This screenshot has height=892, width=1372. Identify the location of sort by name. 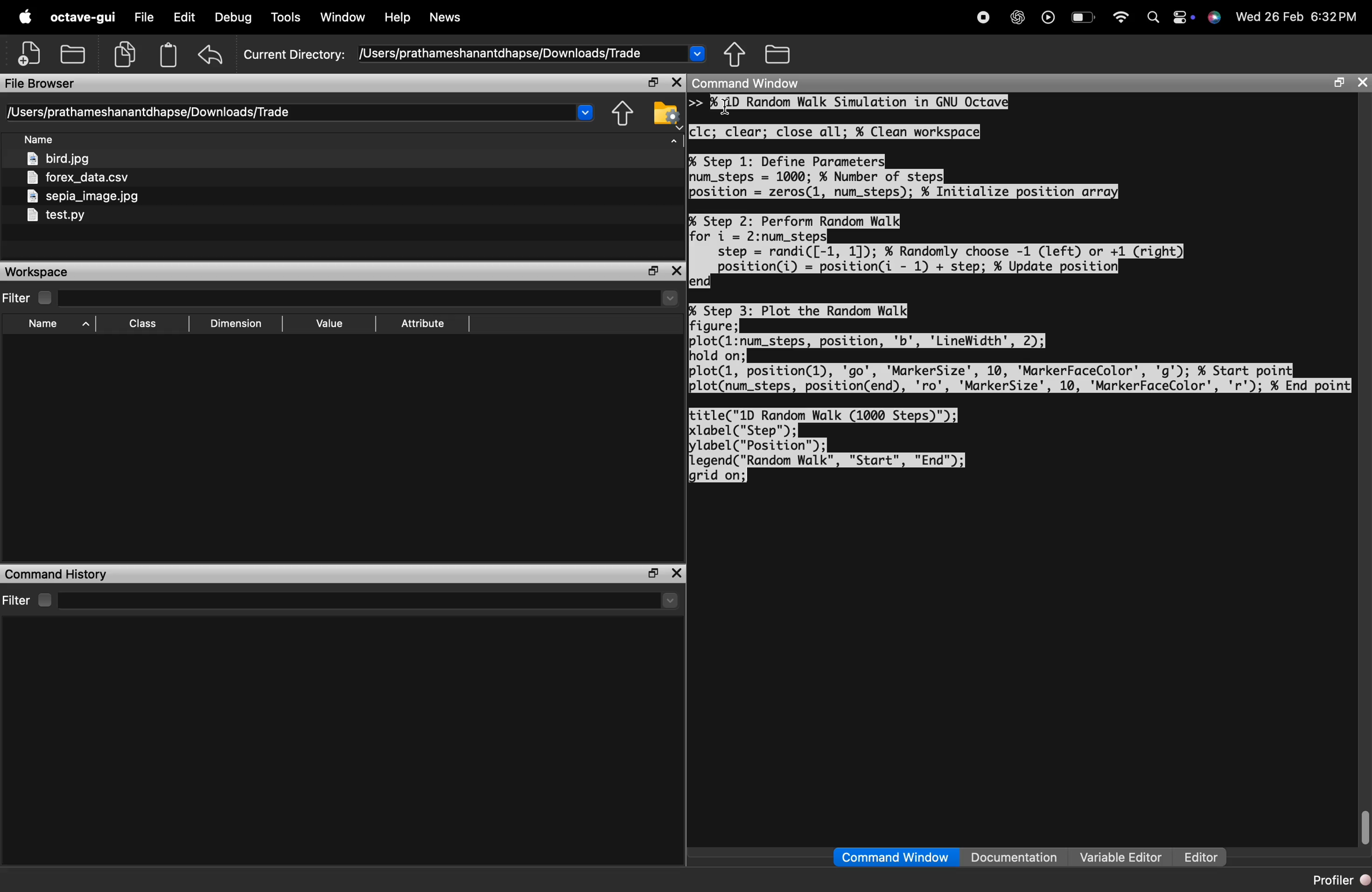
(43, 141).